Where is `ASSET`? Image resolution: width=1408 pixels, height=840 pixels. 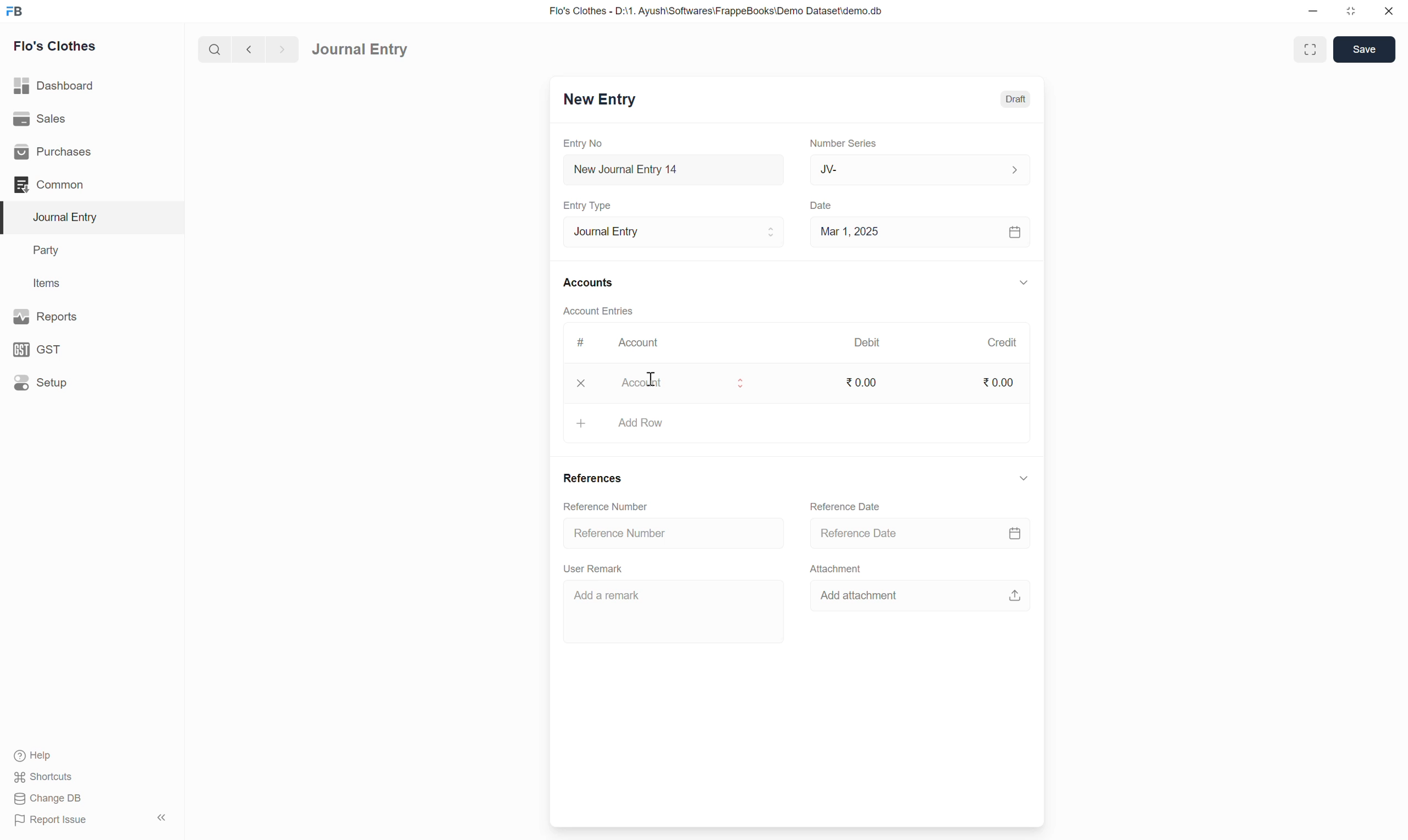
ASSET is located at coordinates (642, 423).